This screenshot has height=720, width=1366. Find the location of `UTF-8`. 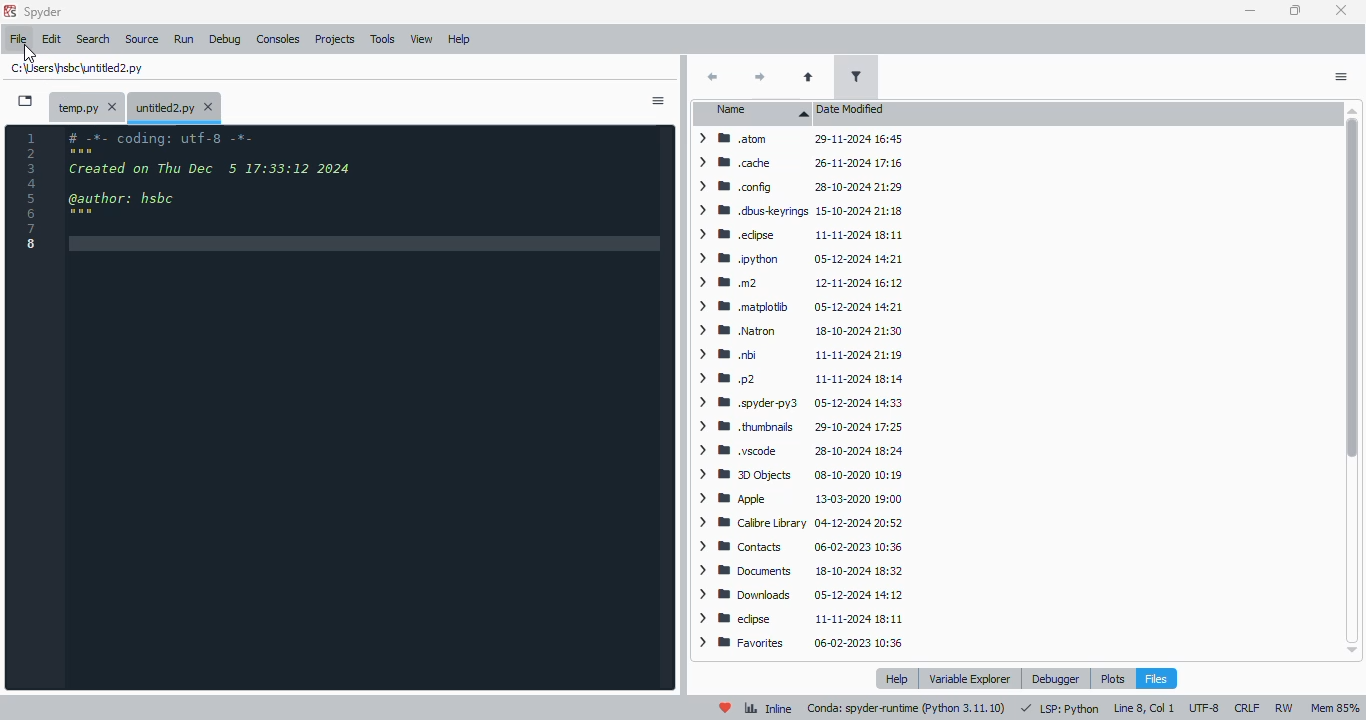

UTF-8 is located at coordinates (1205, 709).